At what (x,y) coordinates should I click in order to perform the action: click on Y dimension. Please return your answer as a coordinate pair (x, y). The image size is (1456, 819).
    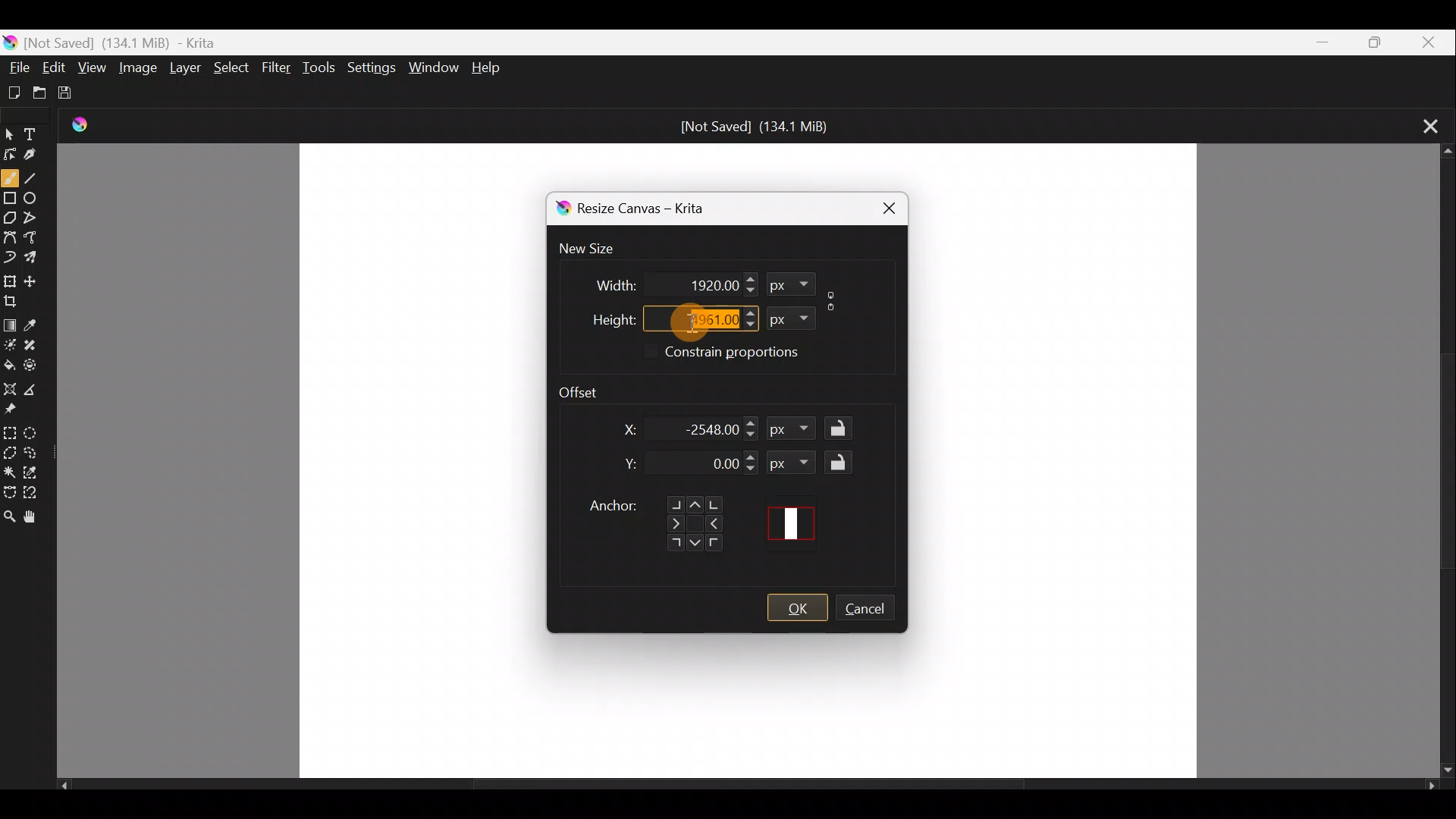
    Looking at the image, I should click on (626, 464).